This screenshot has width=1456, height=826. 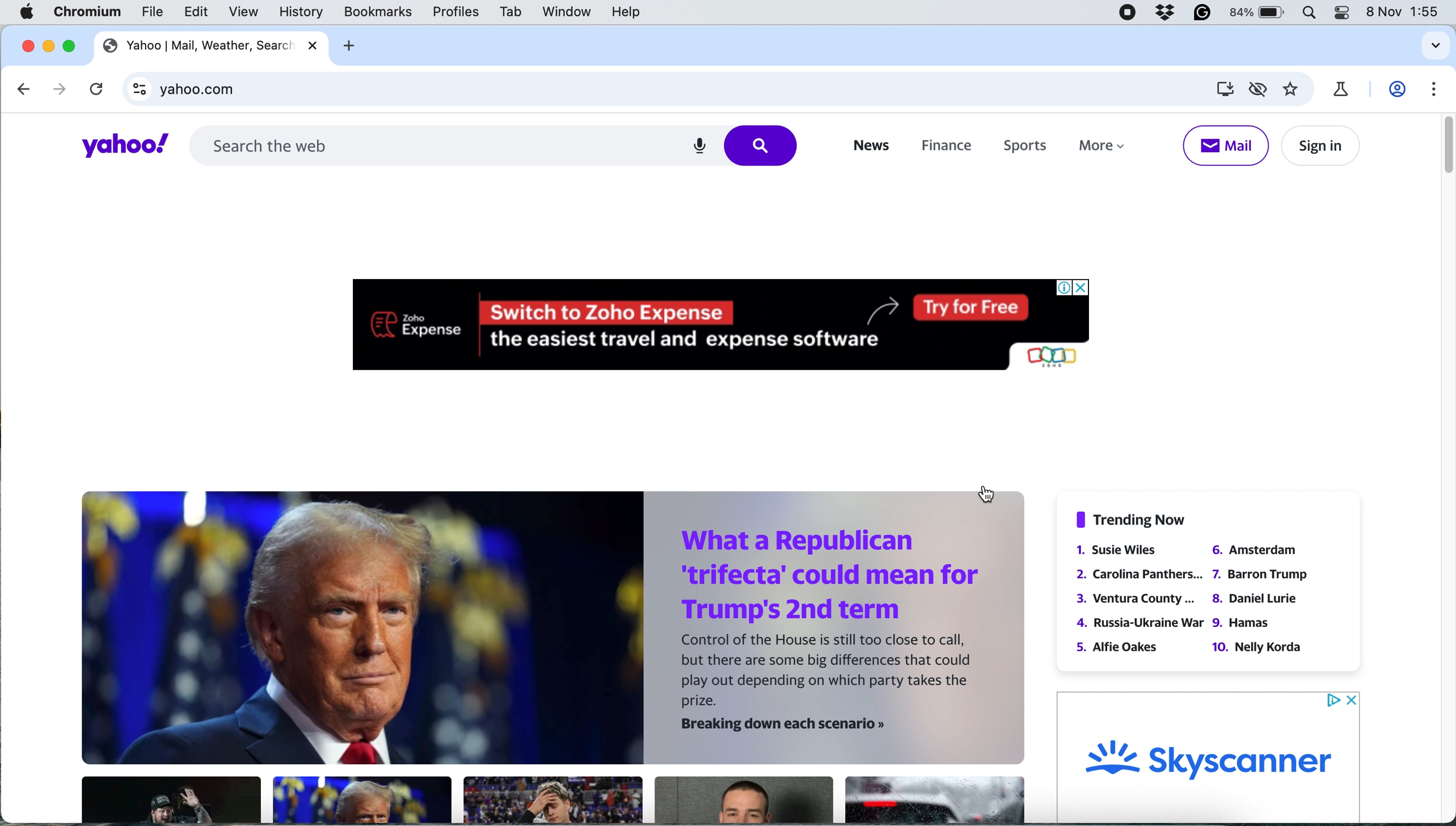 What do you see at coordinates (1442, 149) in the screenshot?
I see `vertical scroll bar` at bounding box center [1442, 149].